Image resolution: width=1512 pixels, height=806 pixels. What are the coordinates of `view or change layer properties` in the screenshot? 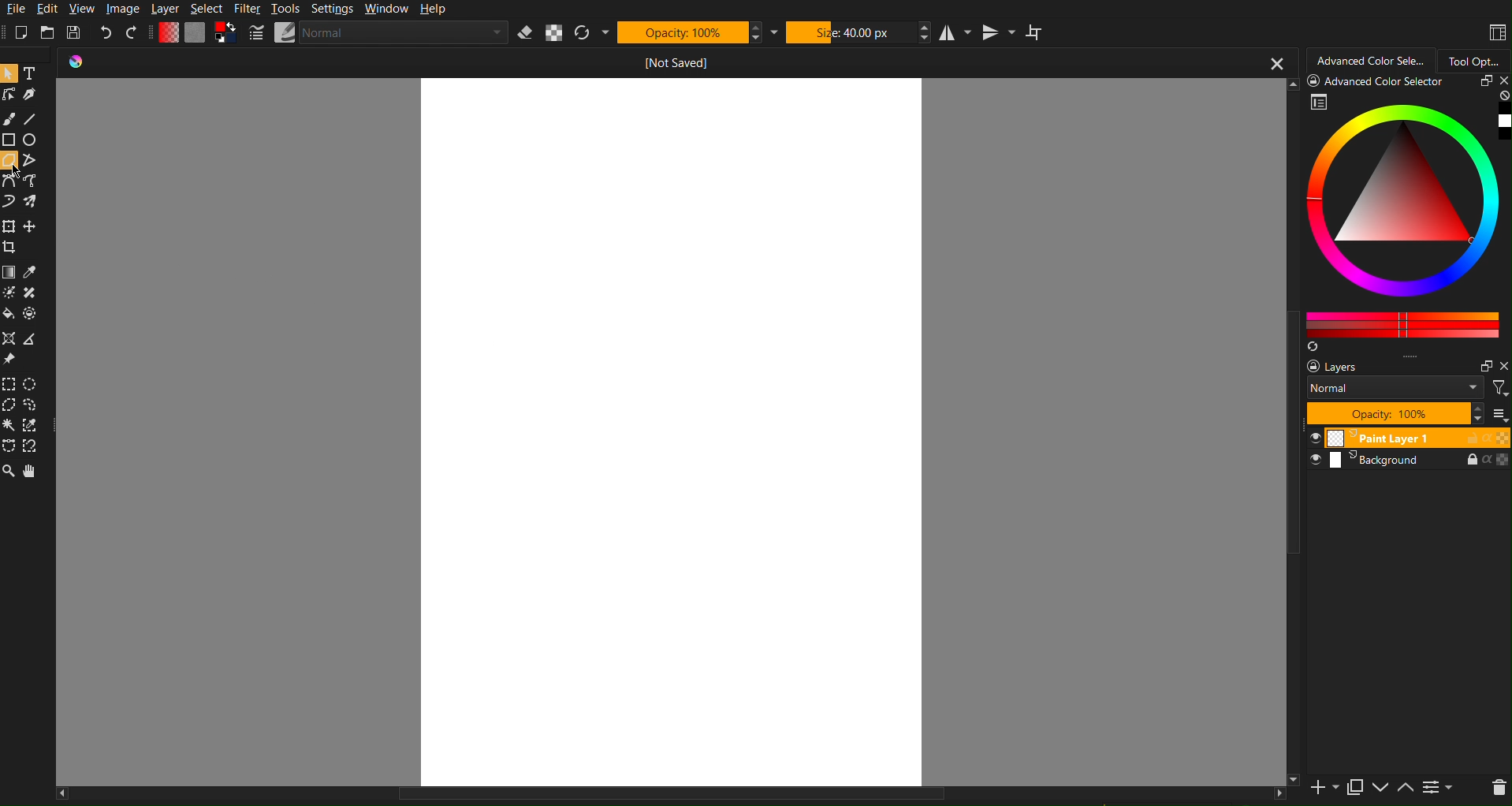 It's located at (1442, 788).